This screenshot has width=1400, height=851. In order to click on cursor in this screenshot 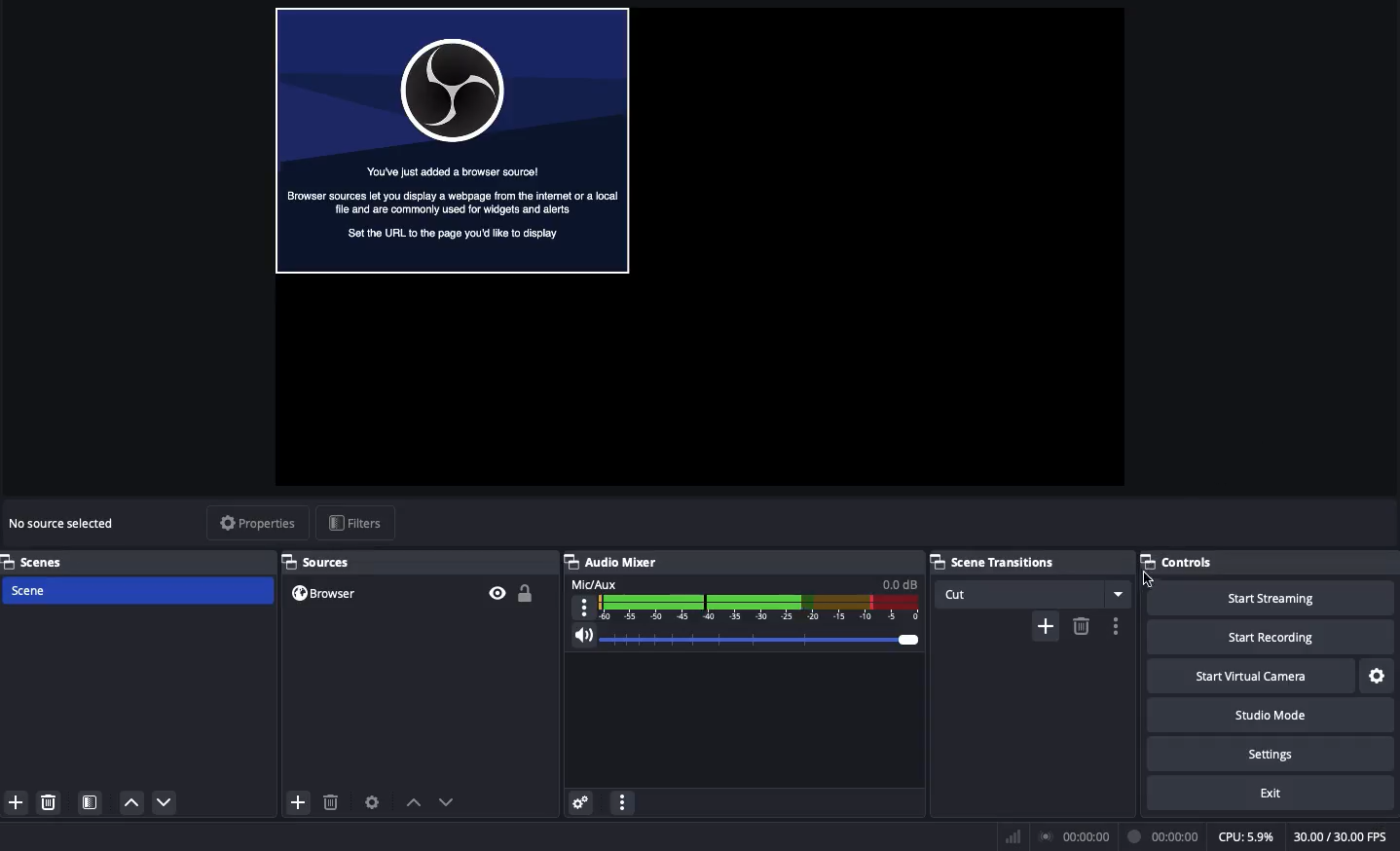, I will do `click(1151, 581)`.